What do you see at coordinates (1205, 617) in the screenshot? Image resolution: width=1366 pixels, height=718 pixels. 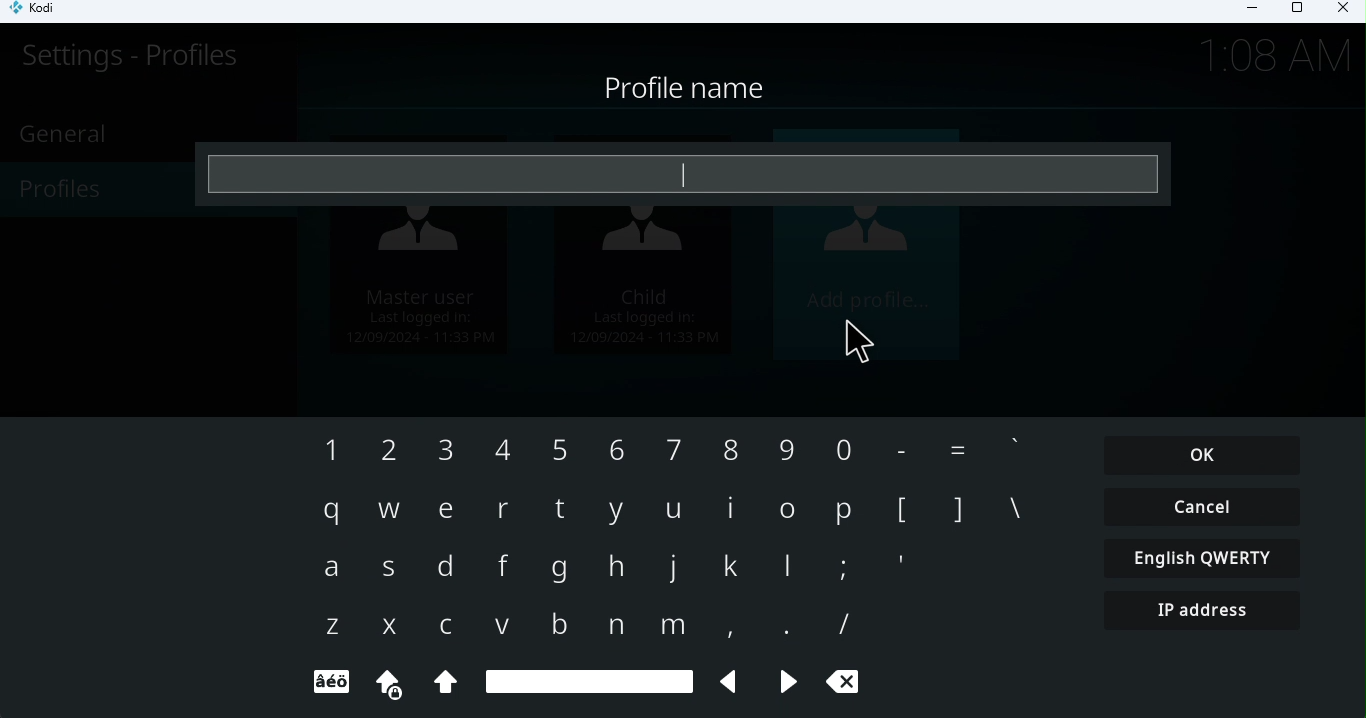 I see `IP address` at bounding box center [1205, 617].